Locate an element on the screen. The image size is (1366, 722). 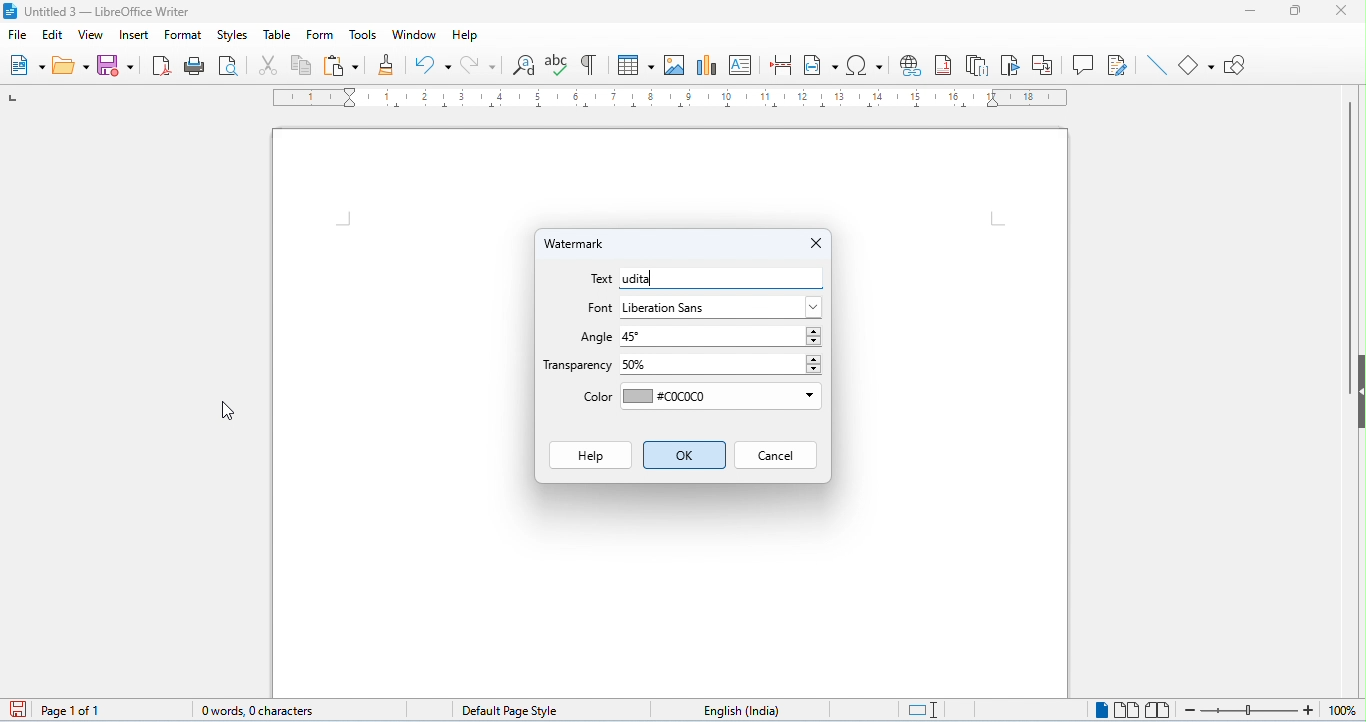
font style is located at coordinates (721, 307).